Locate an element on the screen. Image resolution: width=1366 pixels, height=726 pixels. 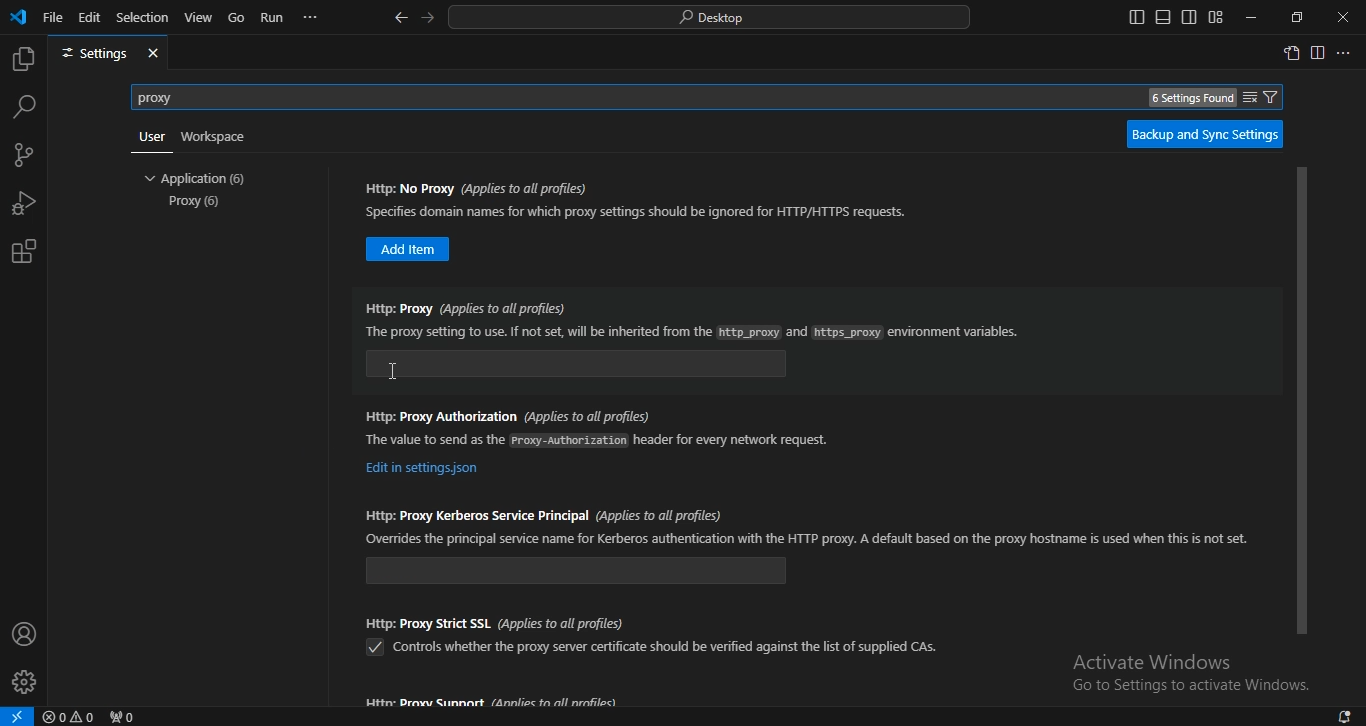
https: no proxy is located at coordinates (479, 188).